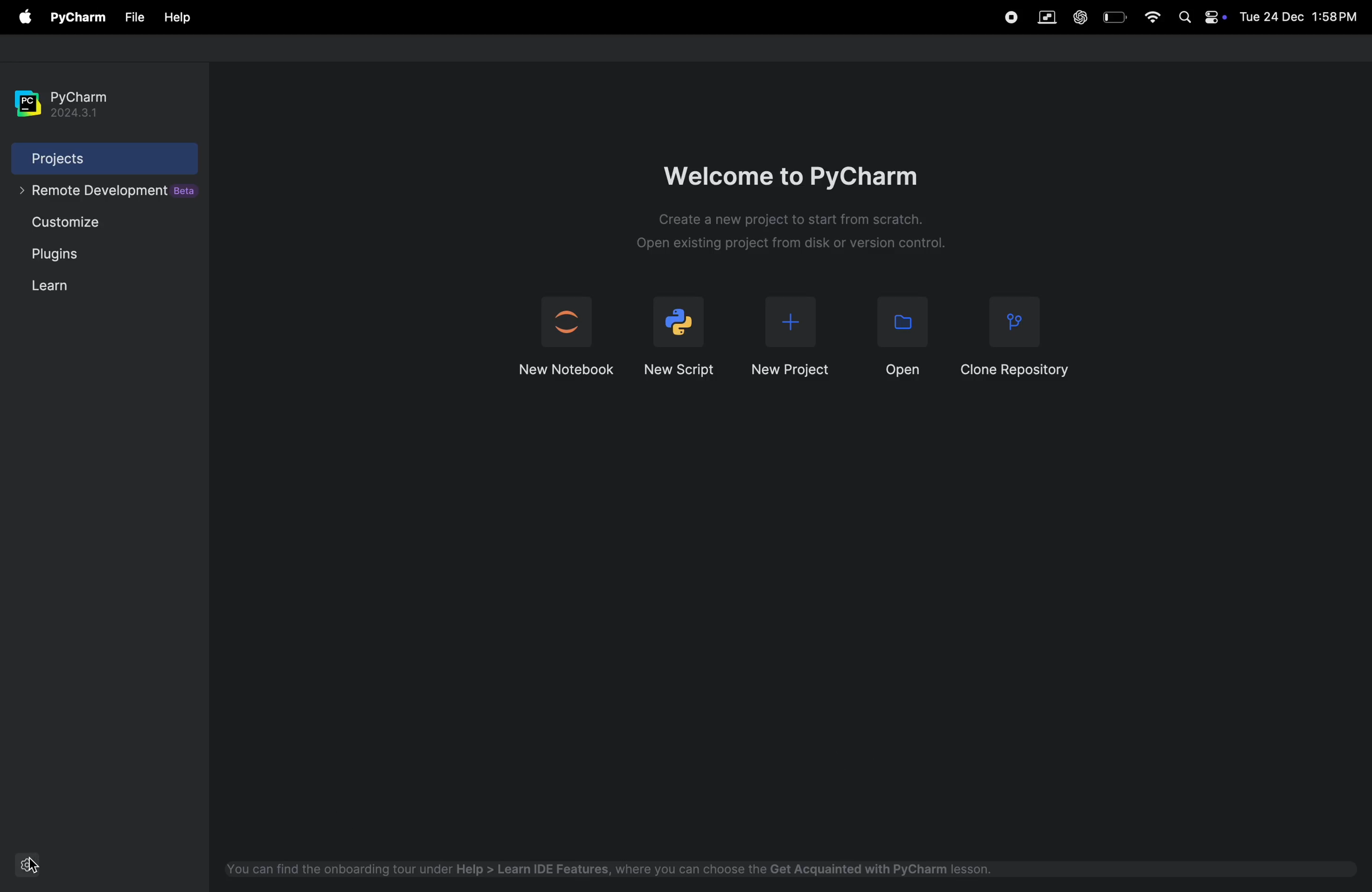 Image resolution: width=1372 pixels, height=892 pixels. Describe the element at coordinates (1152, 19) in the screenshot. I see `wifi` at that location.